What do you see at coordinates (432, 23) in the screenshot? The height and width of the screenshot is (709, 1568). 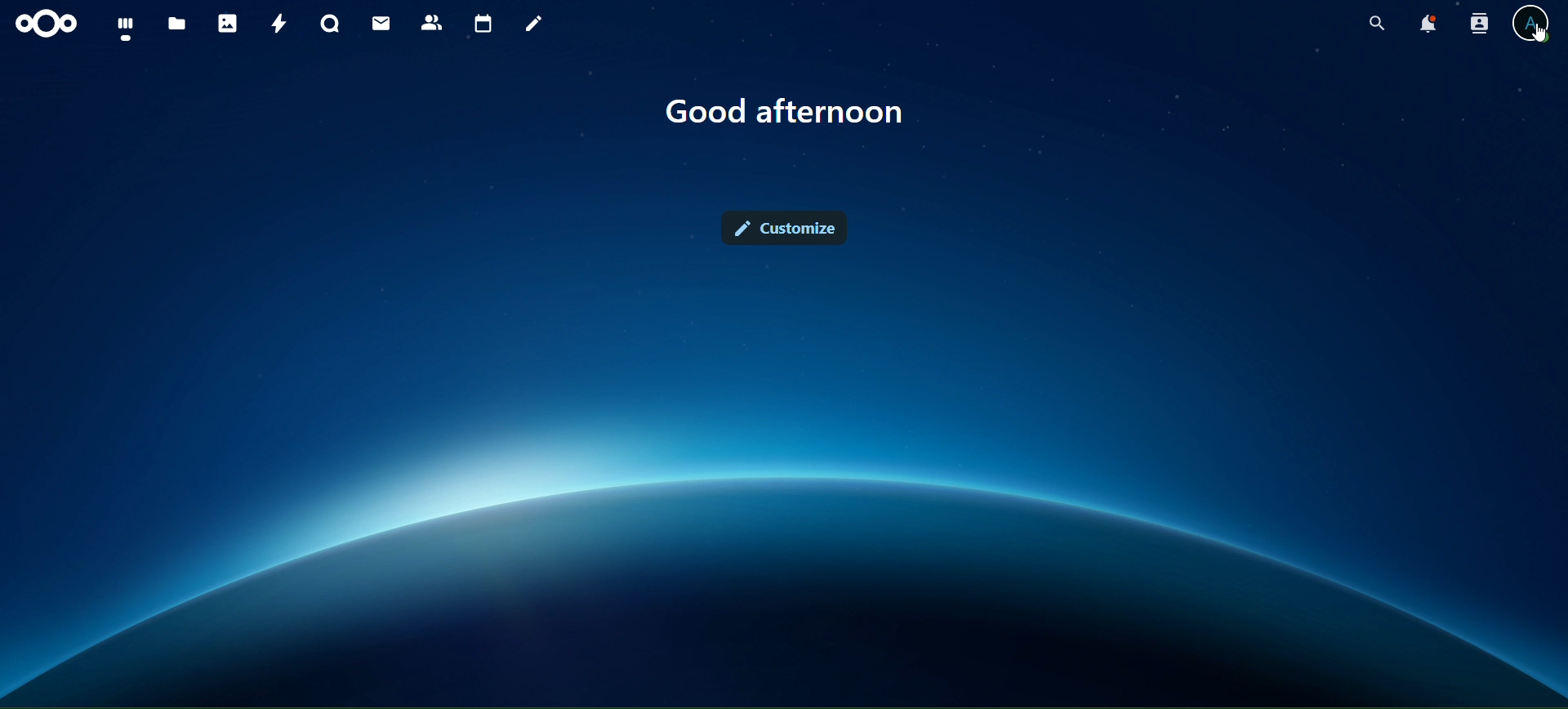 I see `contacts` at bounding box center [432, 23].